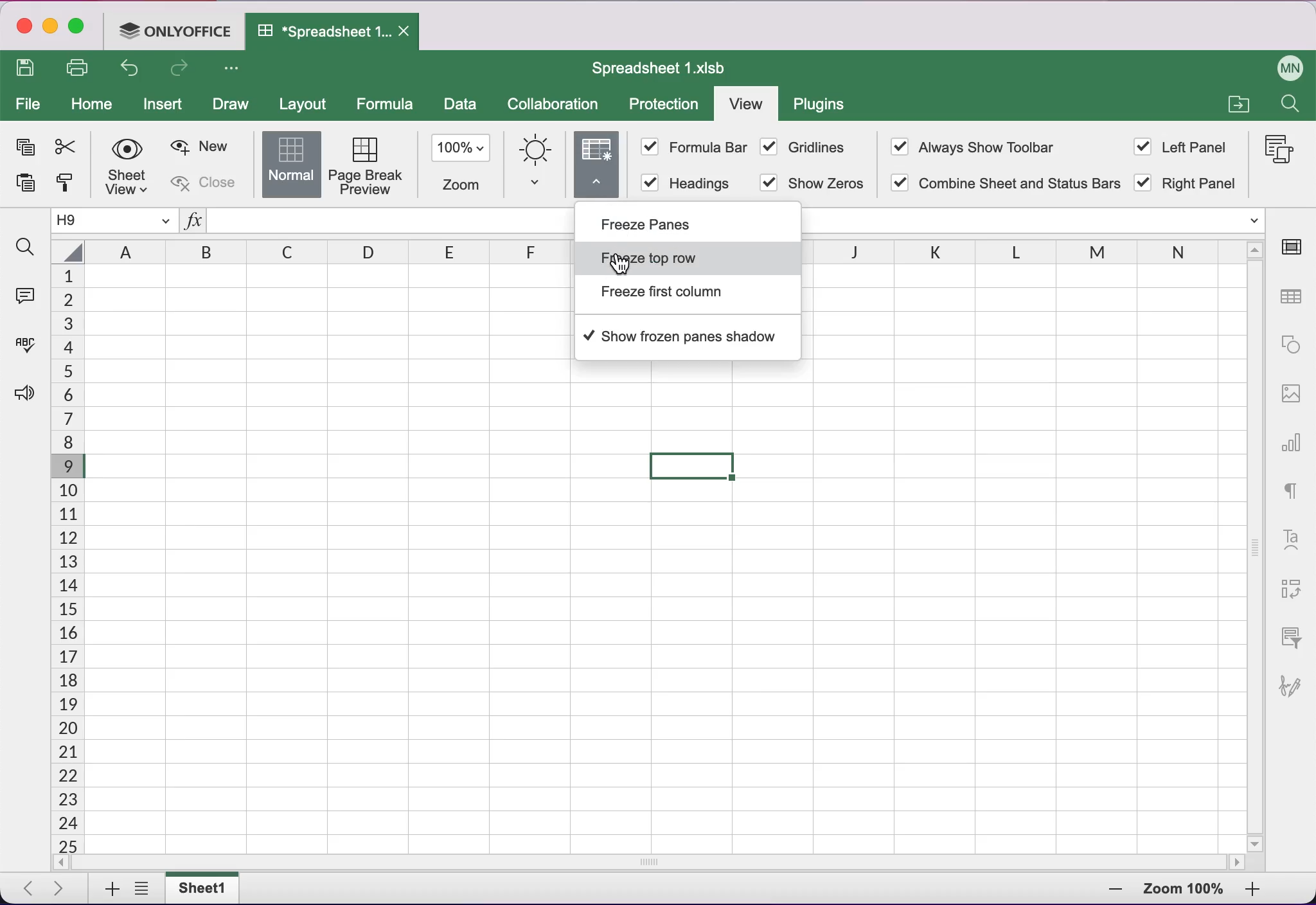 This screenshot has height=905, width=1316. I want to click on formula bar, so click(694, 149).